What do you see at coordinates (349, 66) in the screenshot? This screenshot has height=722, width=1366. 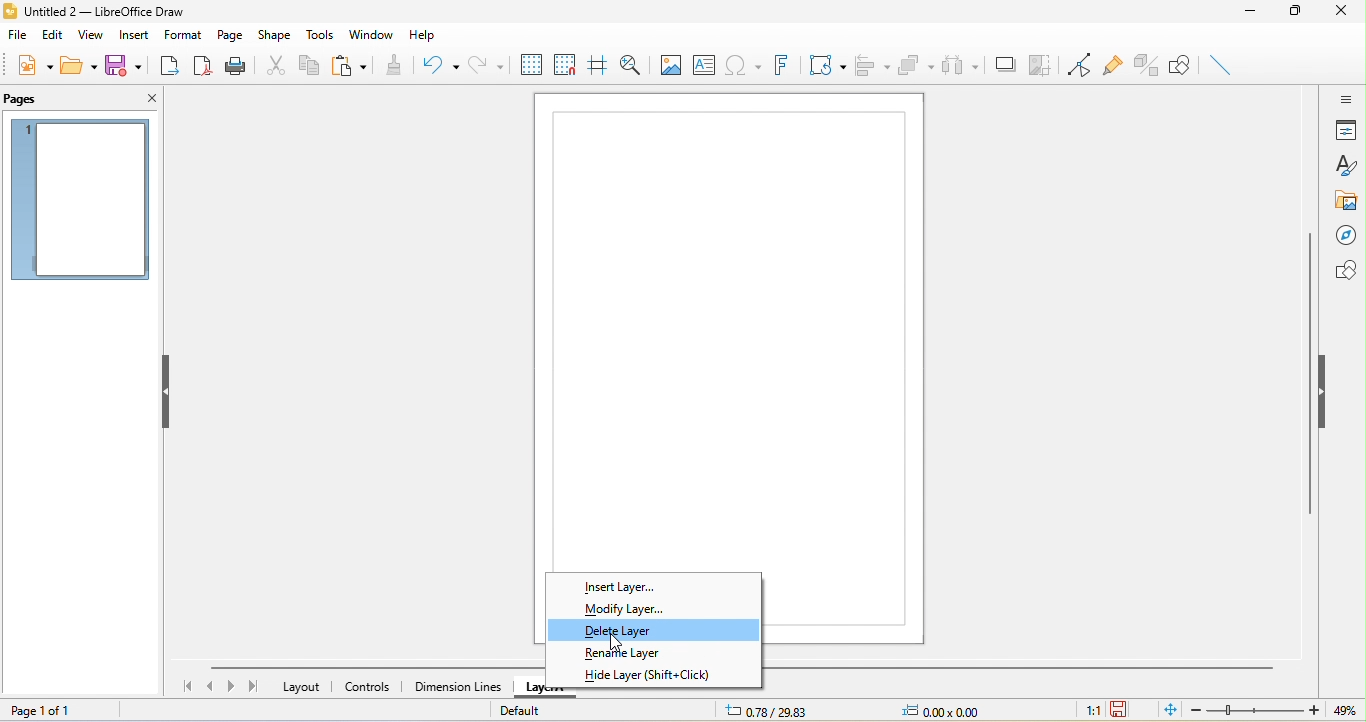 I see `paste` at bounding box center [349, 66].